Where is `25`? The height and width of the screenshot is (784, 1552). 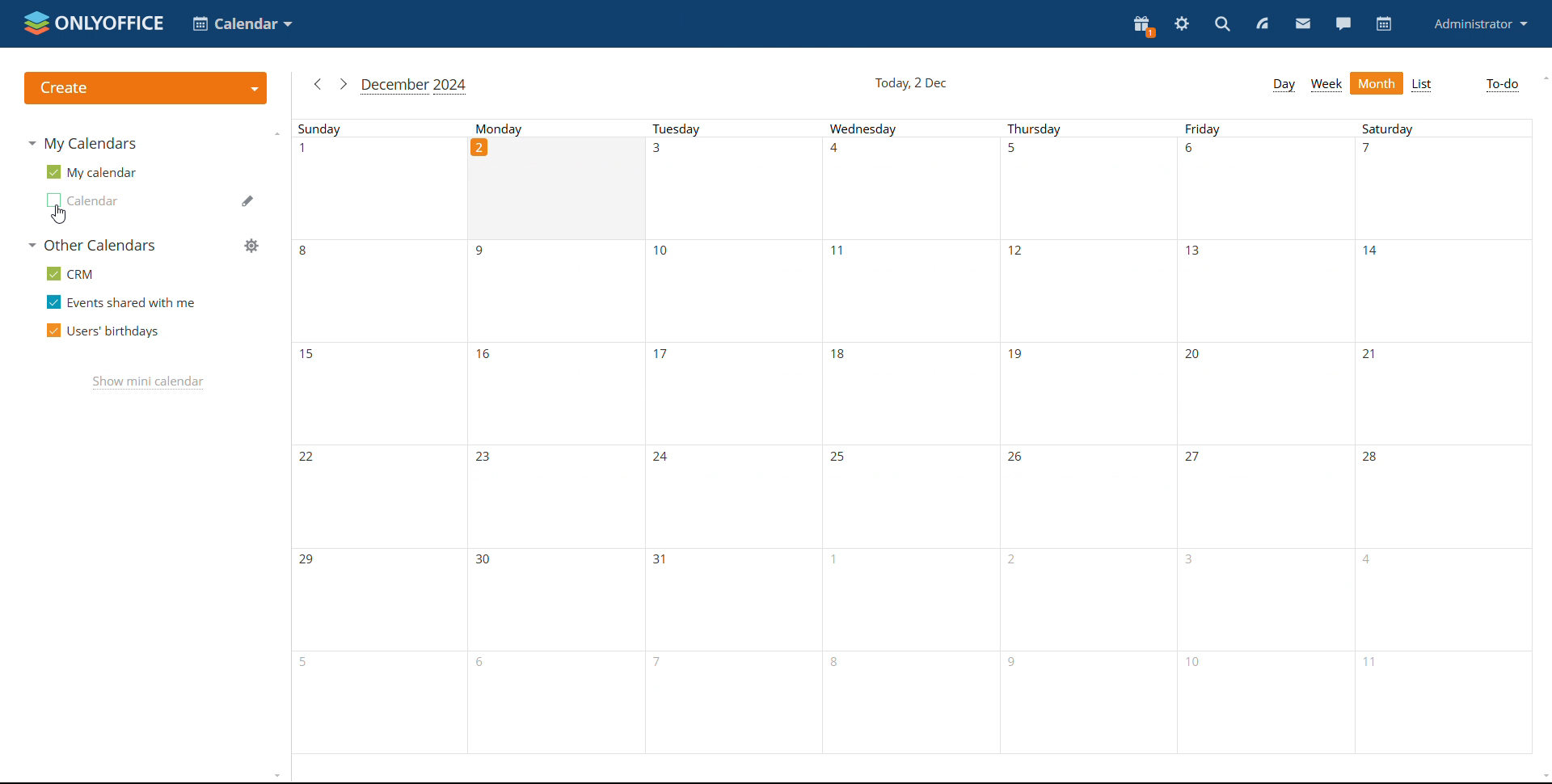 25 is located at coordinates (907, 495).